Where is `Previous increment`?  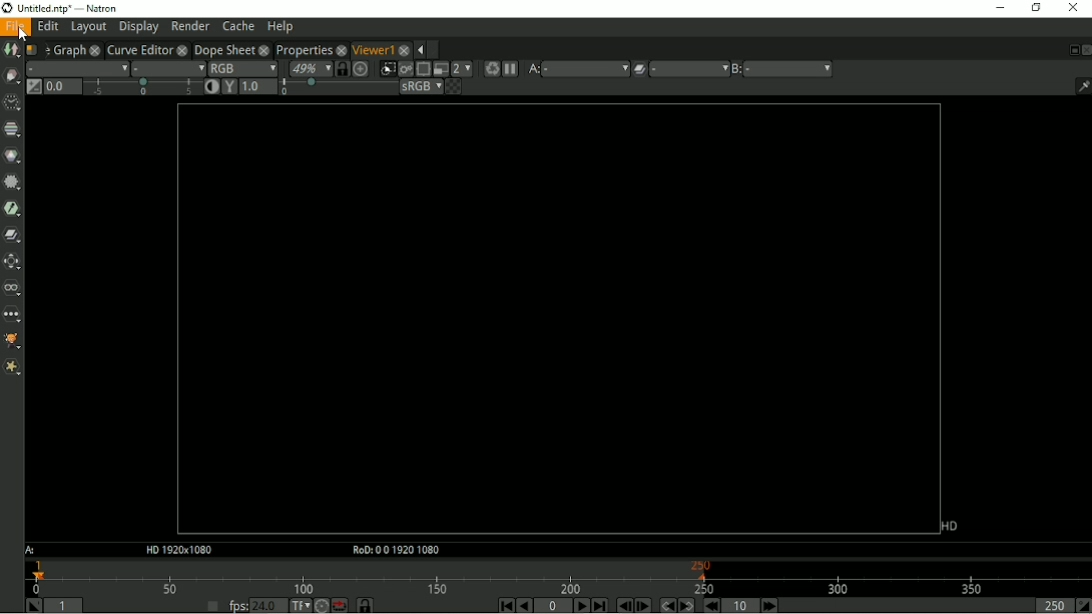 Previous increment is located at coordinates (710, 605).